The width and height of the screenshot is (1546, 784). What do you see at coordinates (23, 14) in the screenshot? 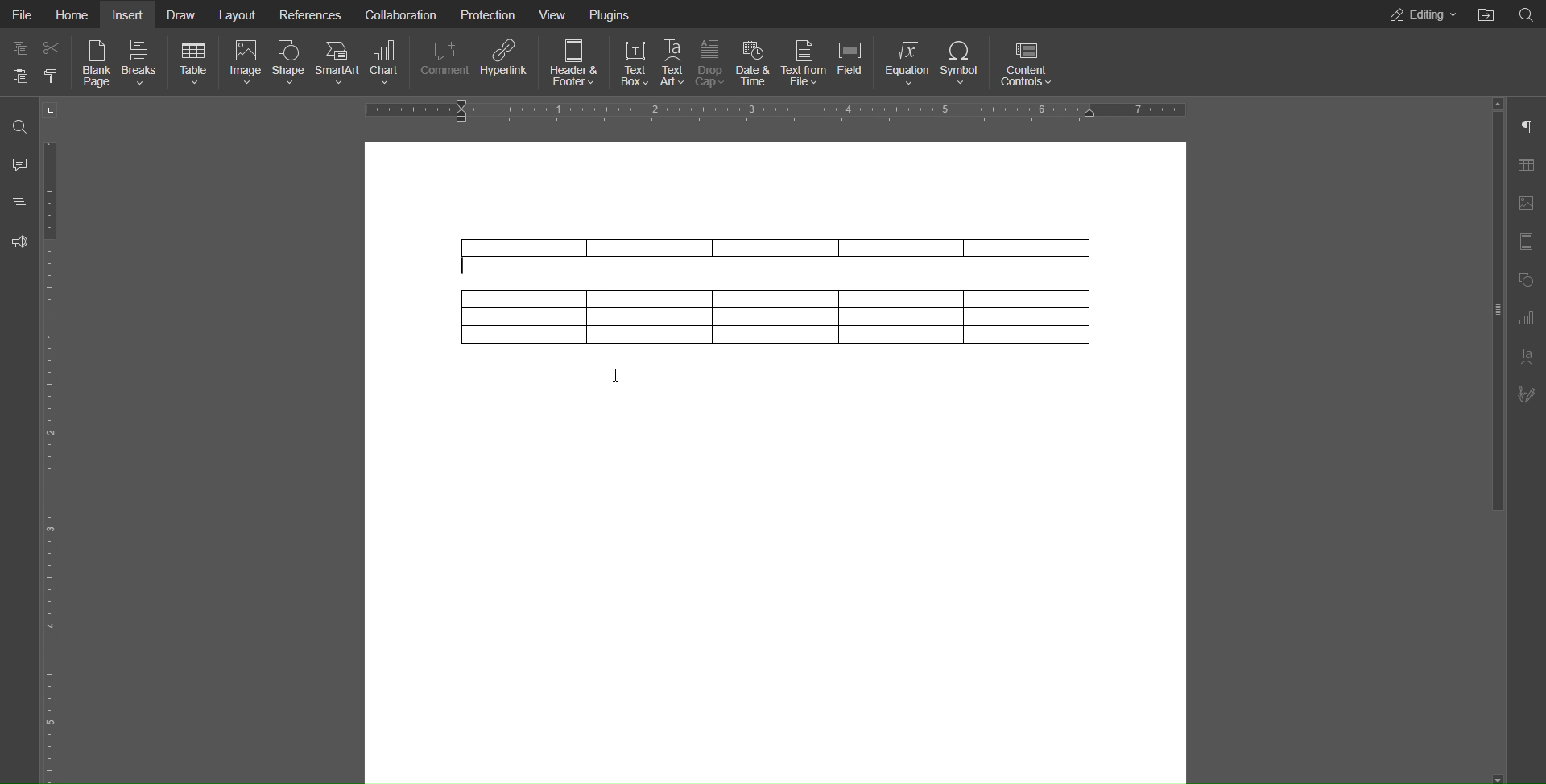
I see `File` at bounding box center [23, 14].